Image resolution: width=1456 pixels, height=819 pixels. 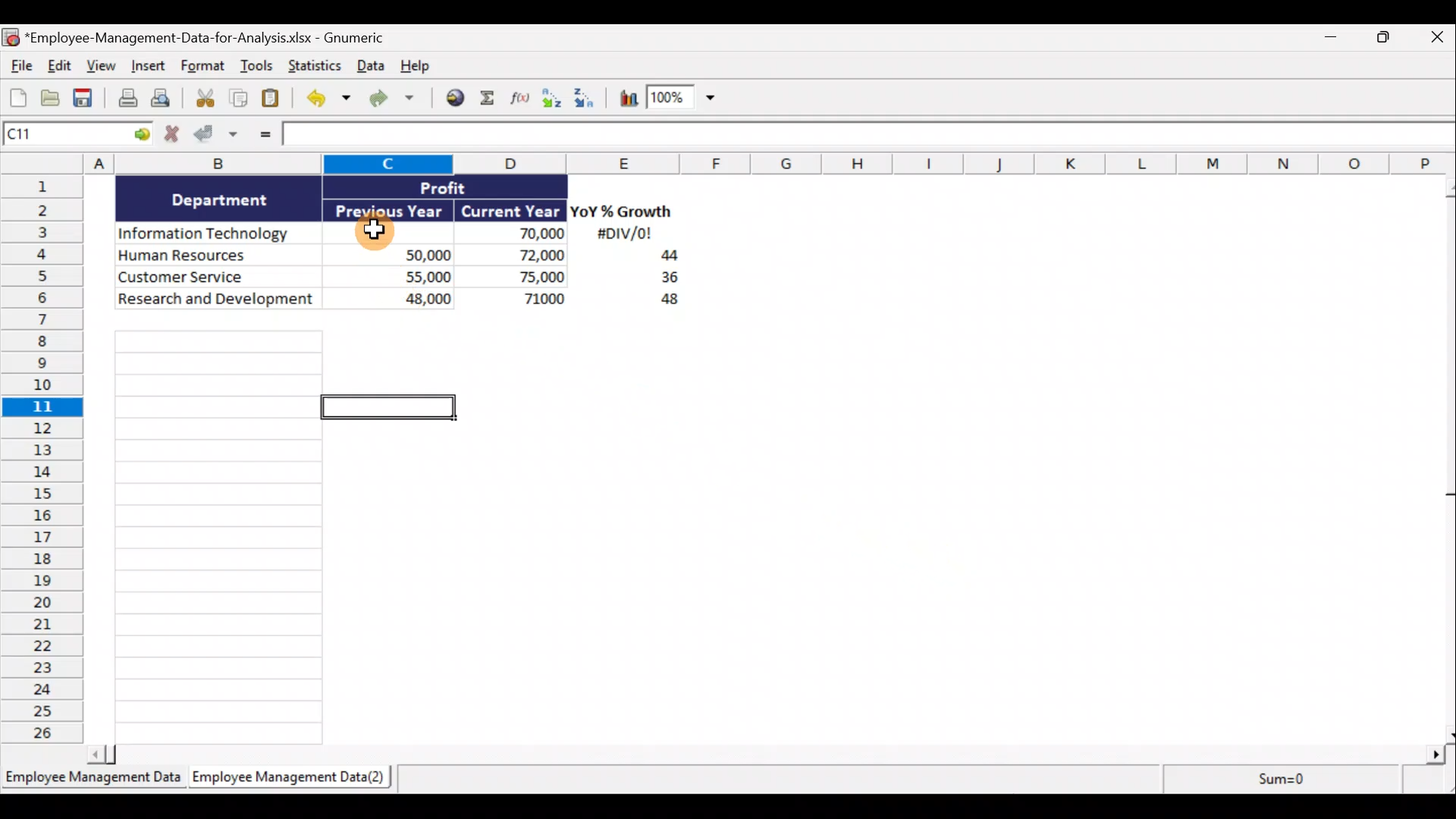 I want to click on Customer Service, so click(x=218, y=275).